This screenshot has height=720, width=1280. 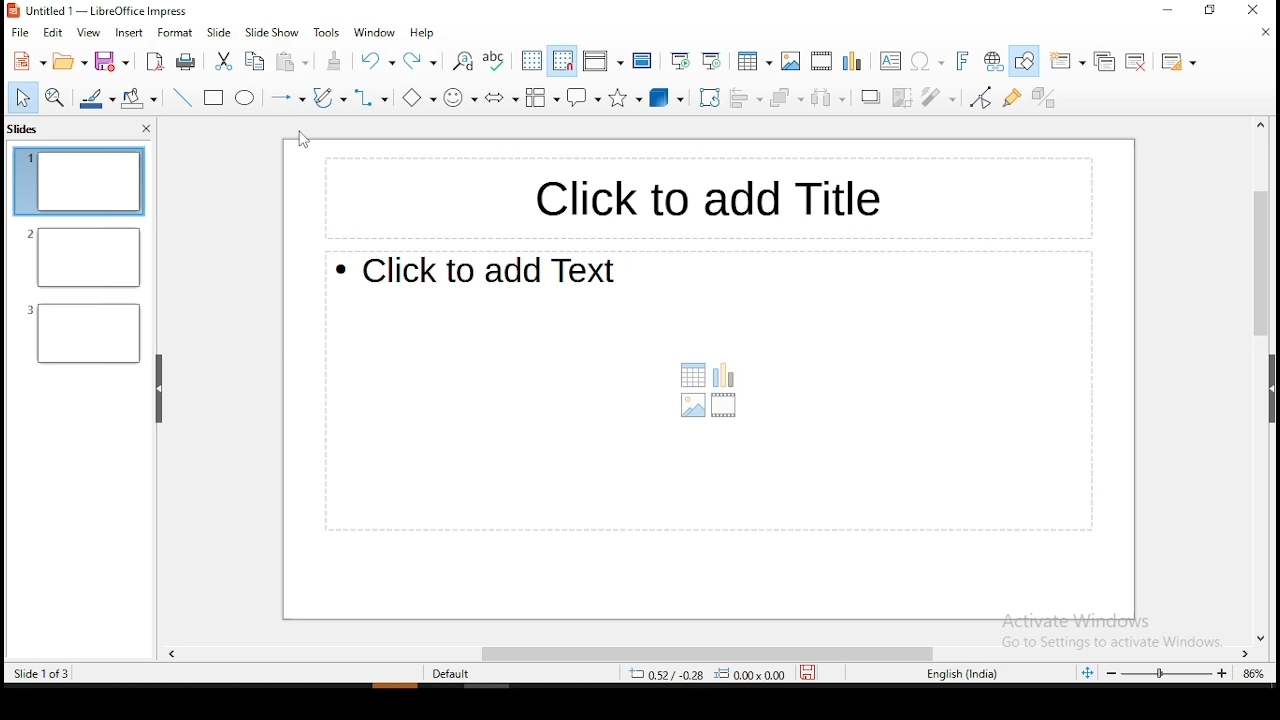 I want to click on filter, so click(x=940, y=92).